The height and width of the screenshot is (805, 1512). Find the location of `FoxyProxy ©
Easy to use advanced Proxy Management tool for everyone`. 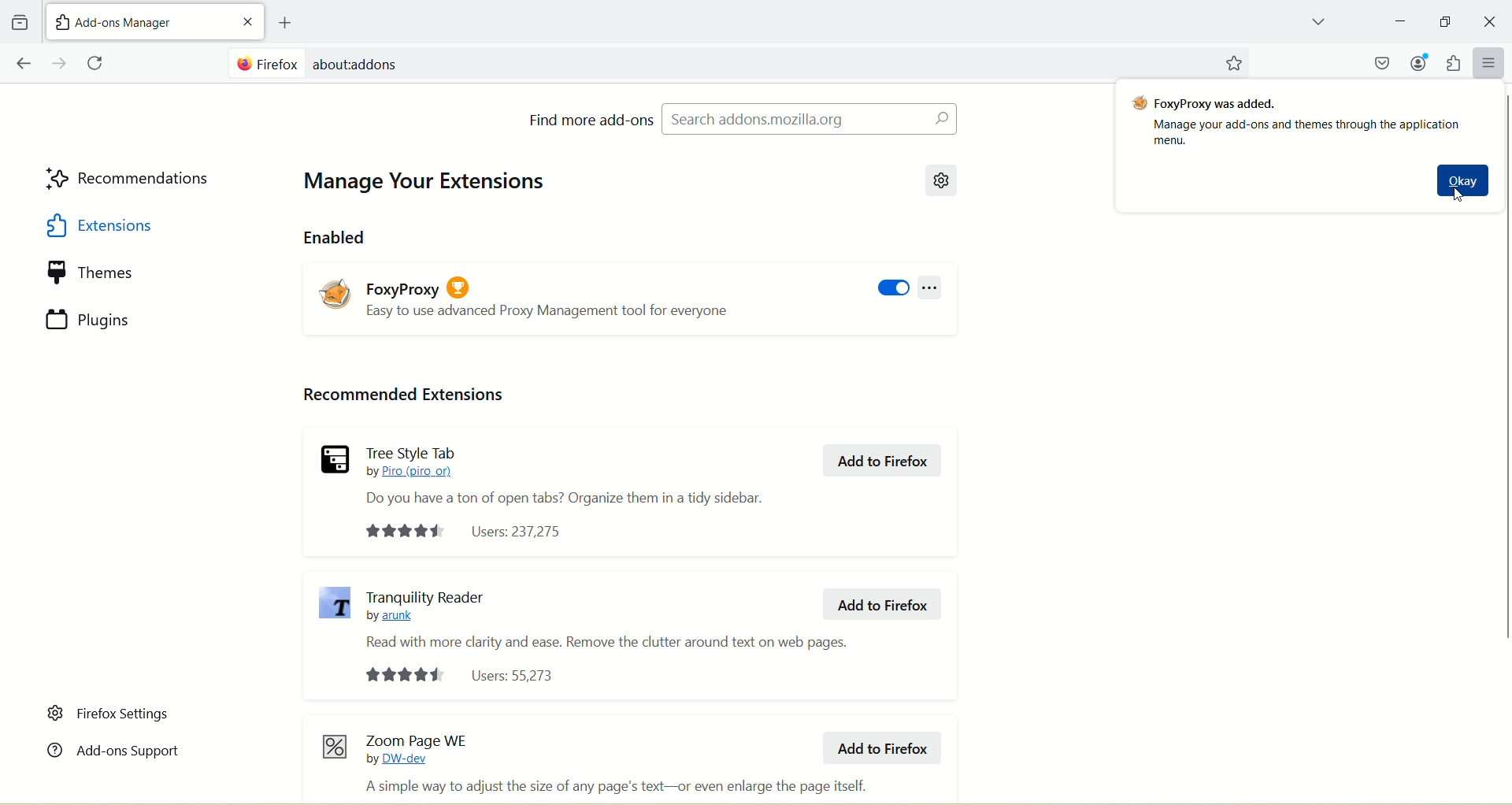

FoxyProxy ©
Easy to use advanced Proxy Management tool for everyone is located at coordinates (550, 293).